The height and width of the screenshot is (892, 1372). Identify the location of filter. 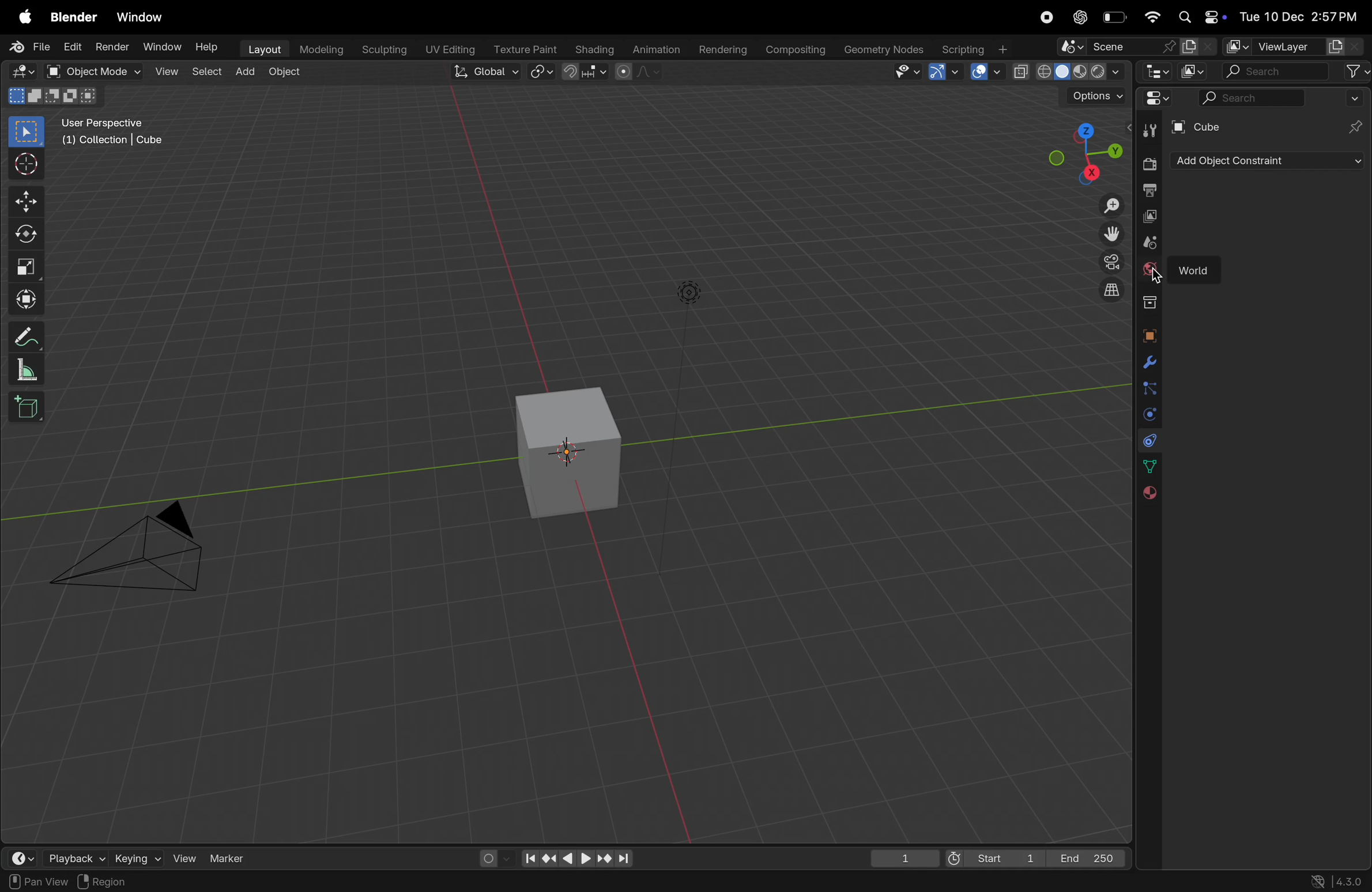
(1354, 72).